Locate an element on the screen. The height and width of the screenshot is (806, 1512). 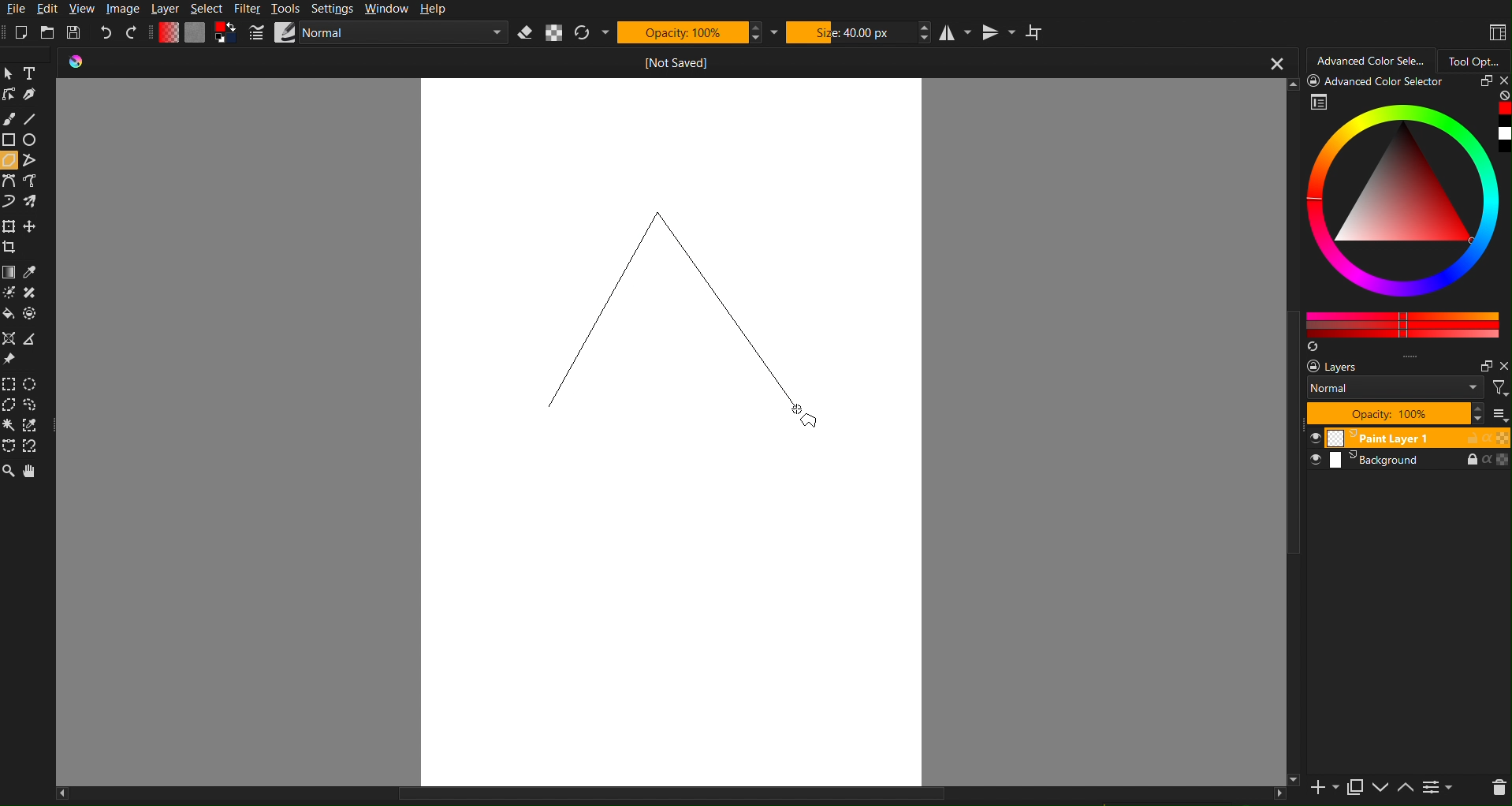
duplicate layer or mask is located at coordinates (1354, 789).